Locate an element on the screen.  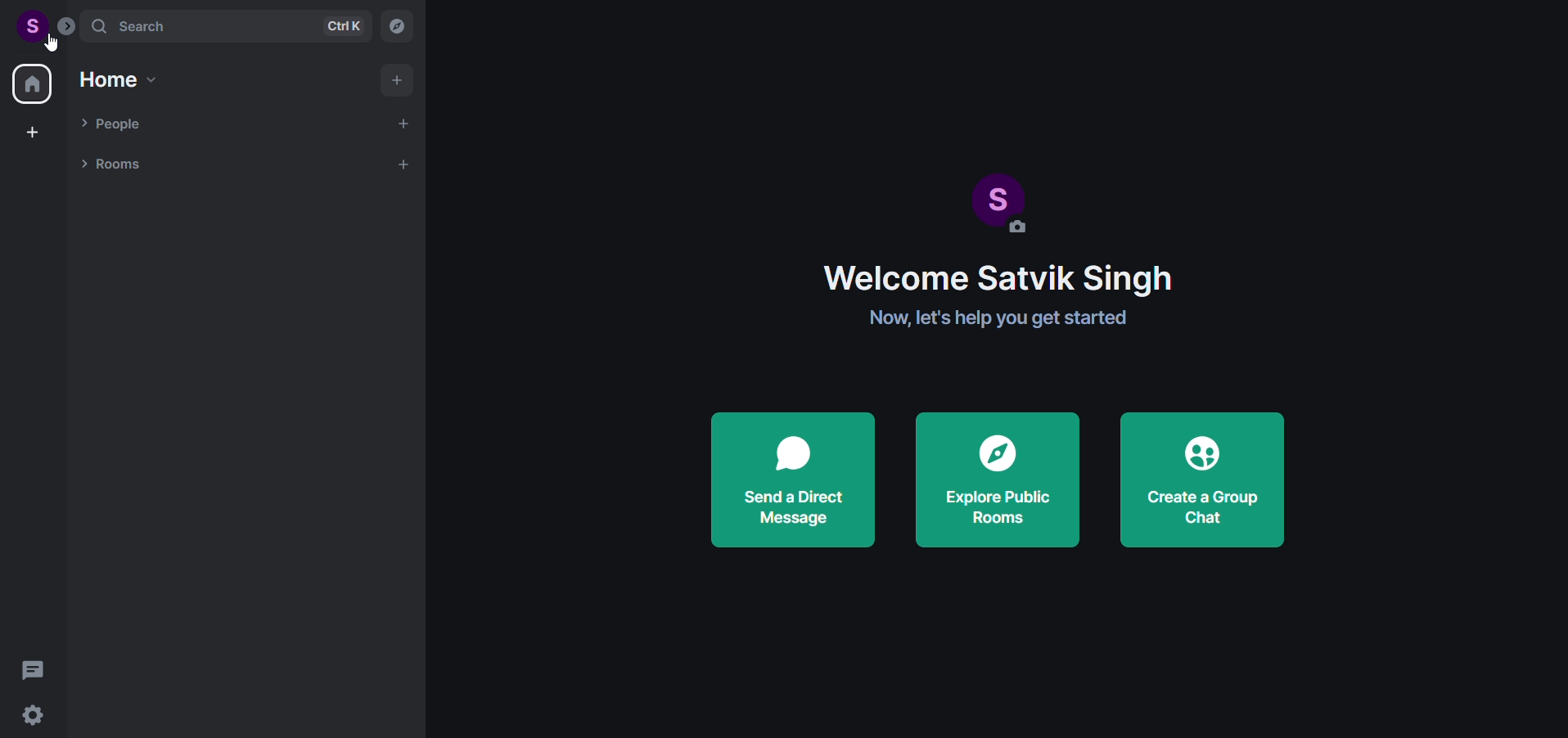
user is located at coordinates (25, 25).